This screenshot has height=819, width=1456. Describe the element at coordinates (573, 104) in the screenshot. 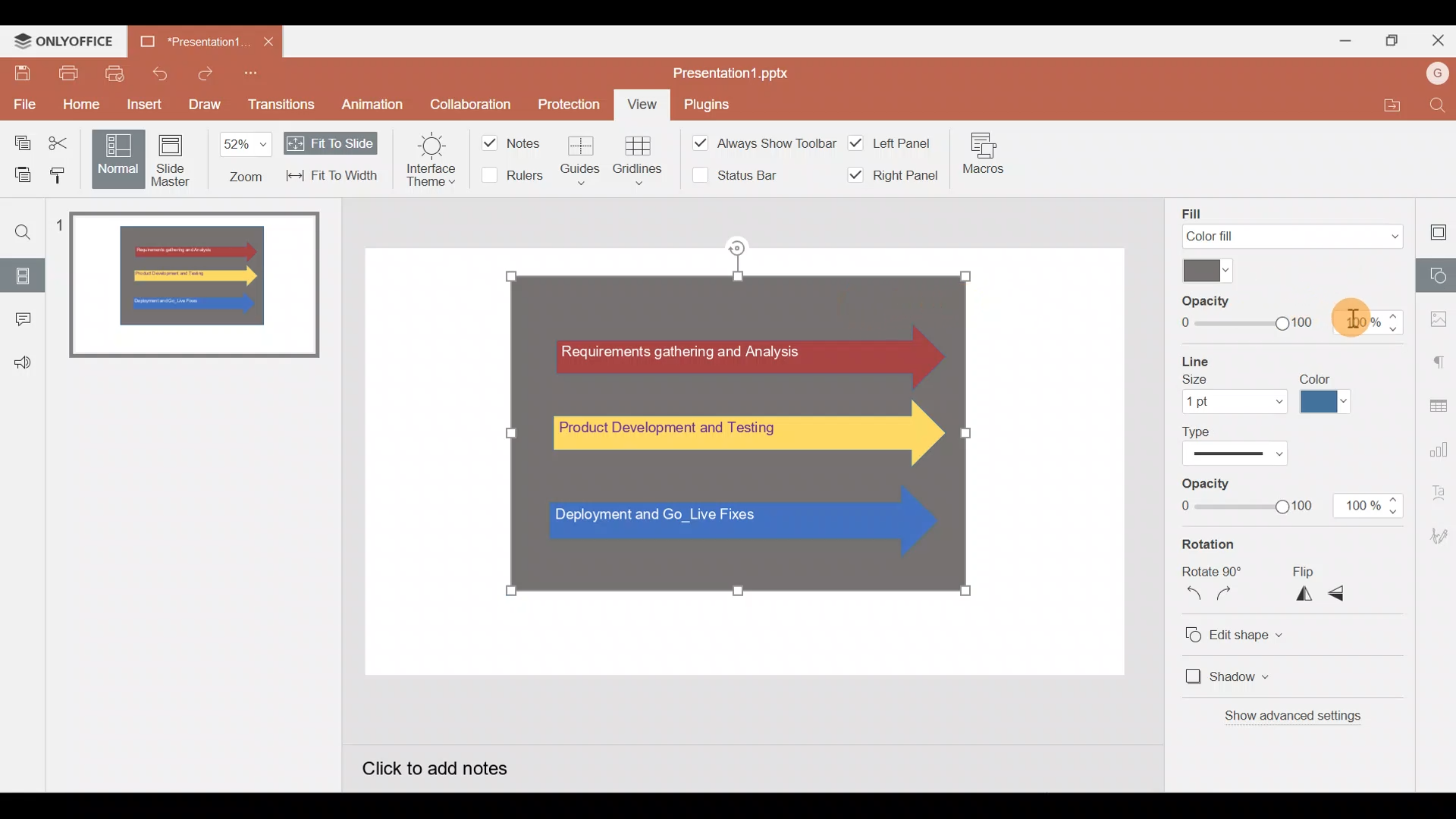

I see `Protection` at that location.